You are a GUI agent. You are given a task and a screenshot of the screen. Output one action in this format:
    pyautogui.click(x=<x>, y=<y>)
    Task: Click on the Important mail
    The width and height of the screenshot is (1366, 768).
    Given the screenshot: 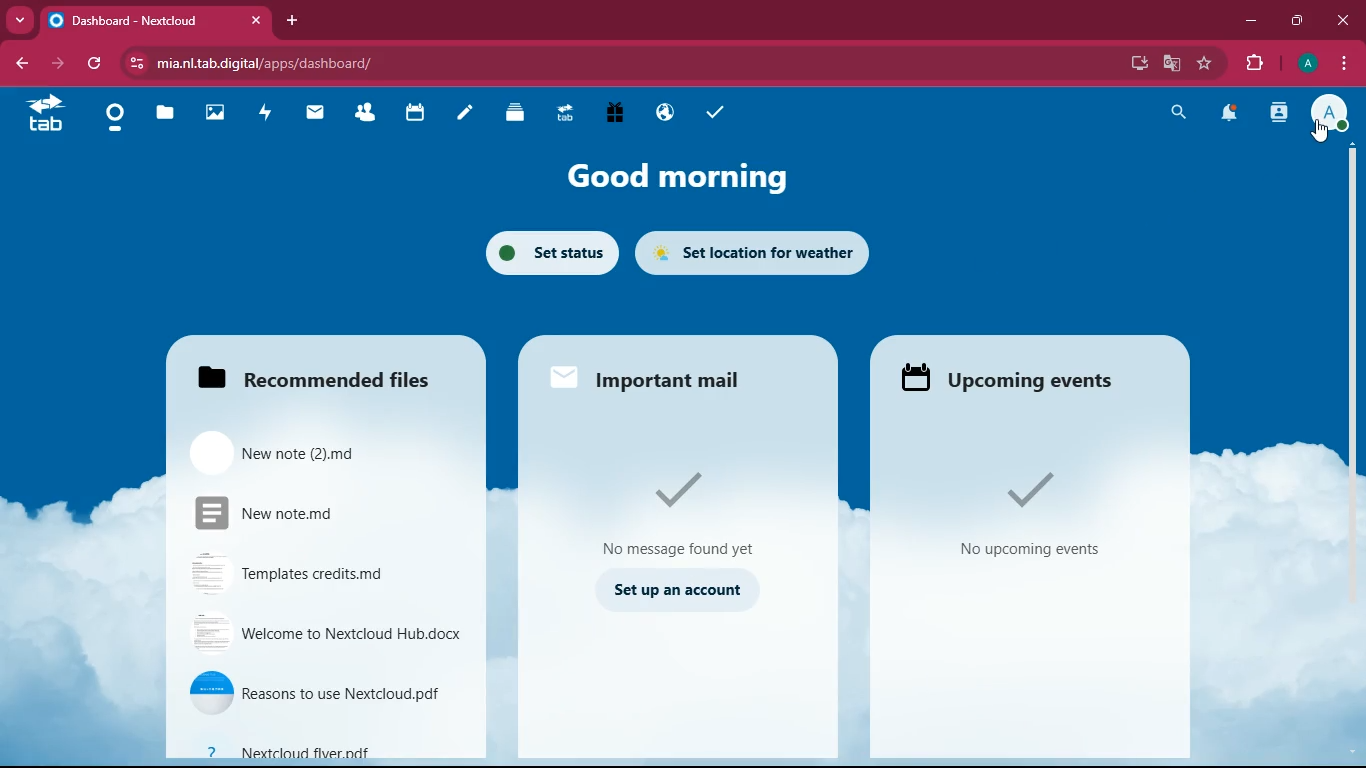 What is the action you would take?
    pyautogui.click(x=658, y=379)
    